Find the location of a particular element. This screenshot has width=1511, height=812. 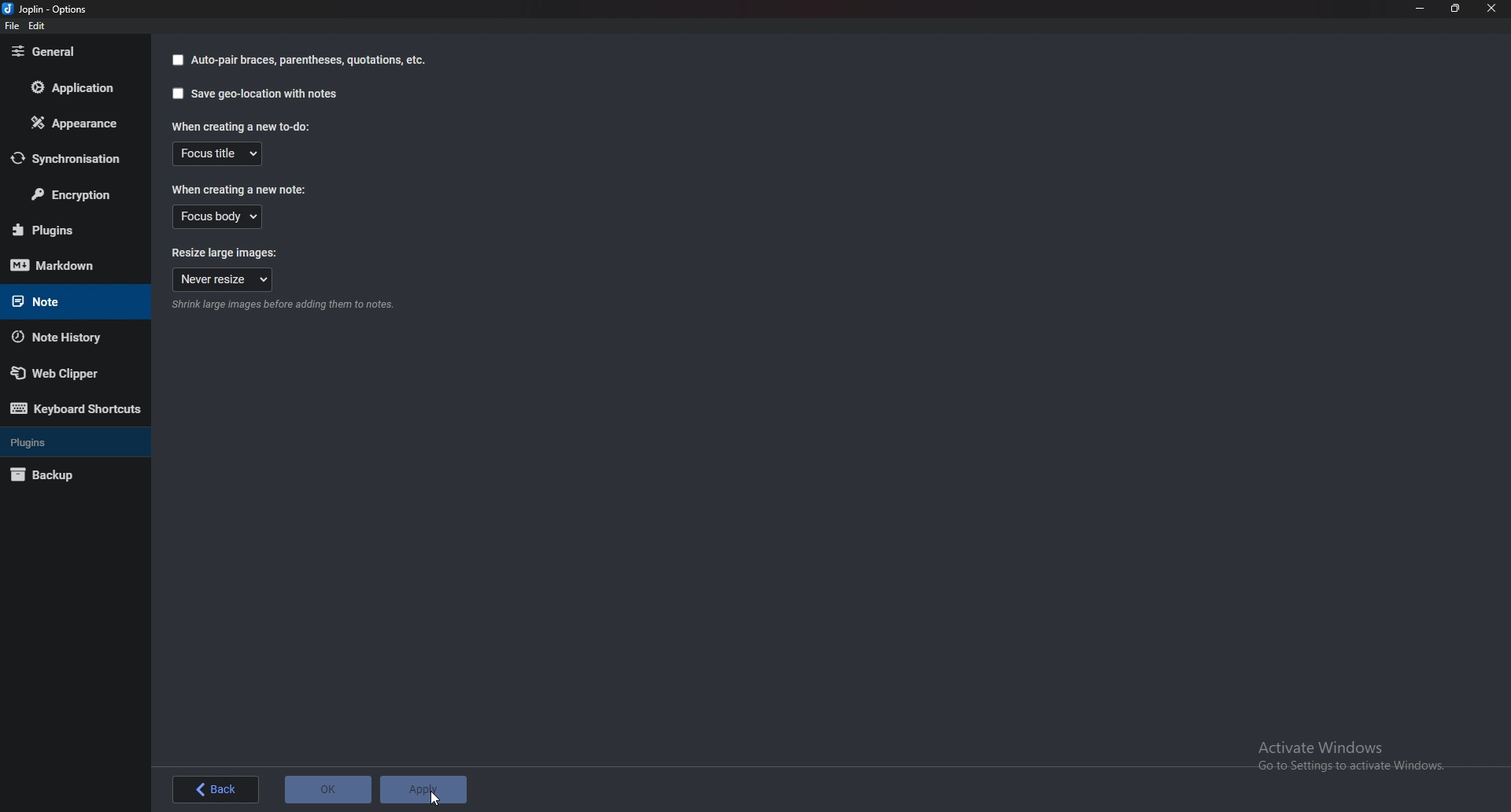

joplin is located at coordinates (47, 10).